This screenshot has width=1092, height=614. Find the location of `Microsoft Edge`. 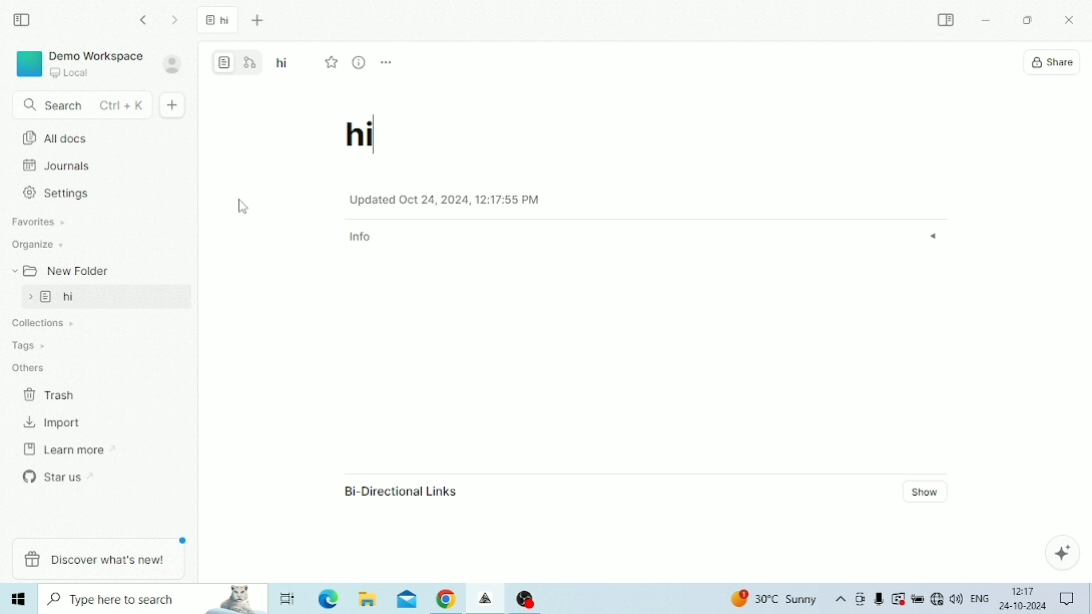

Microsoft Edge is located at coordinates (330, 599).